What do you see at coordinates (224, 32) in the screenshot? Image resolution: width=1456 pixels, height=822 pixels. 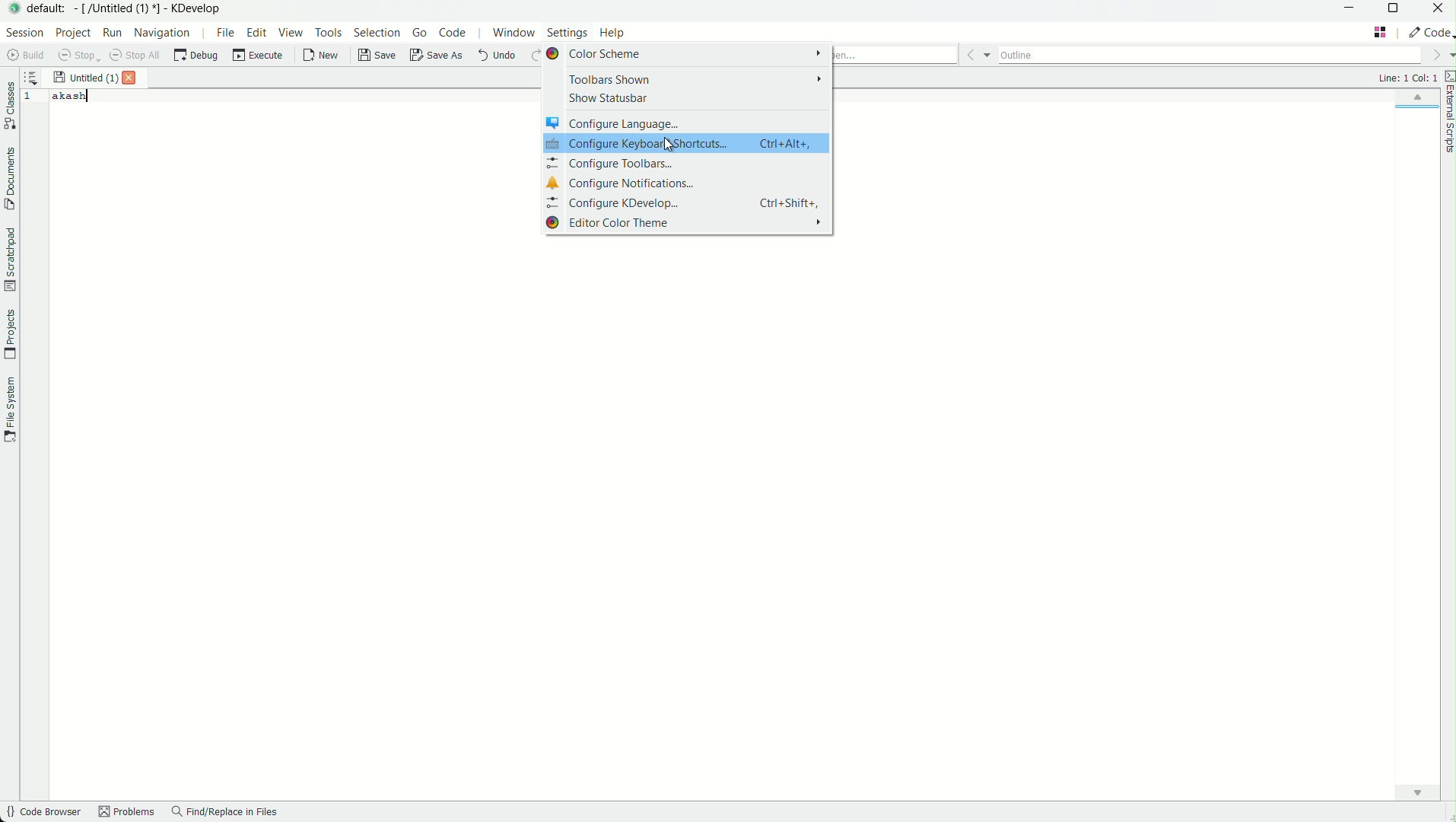 I see `file menu` at bounding box center [224, 32].